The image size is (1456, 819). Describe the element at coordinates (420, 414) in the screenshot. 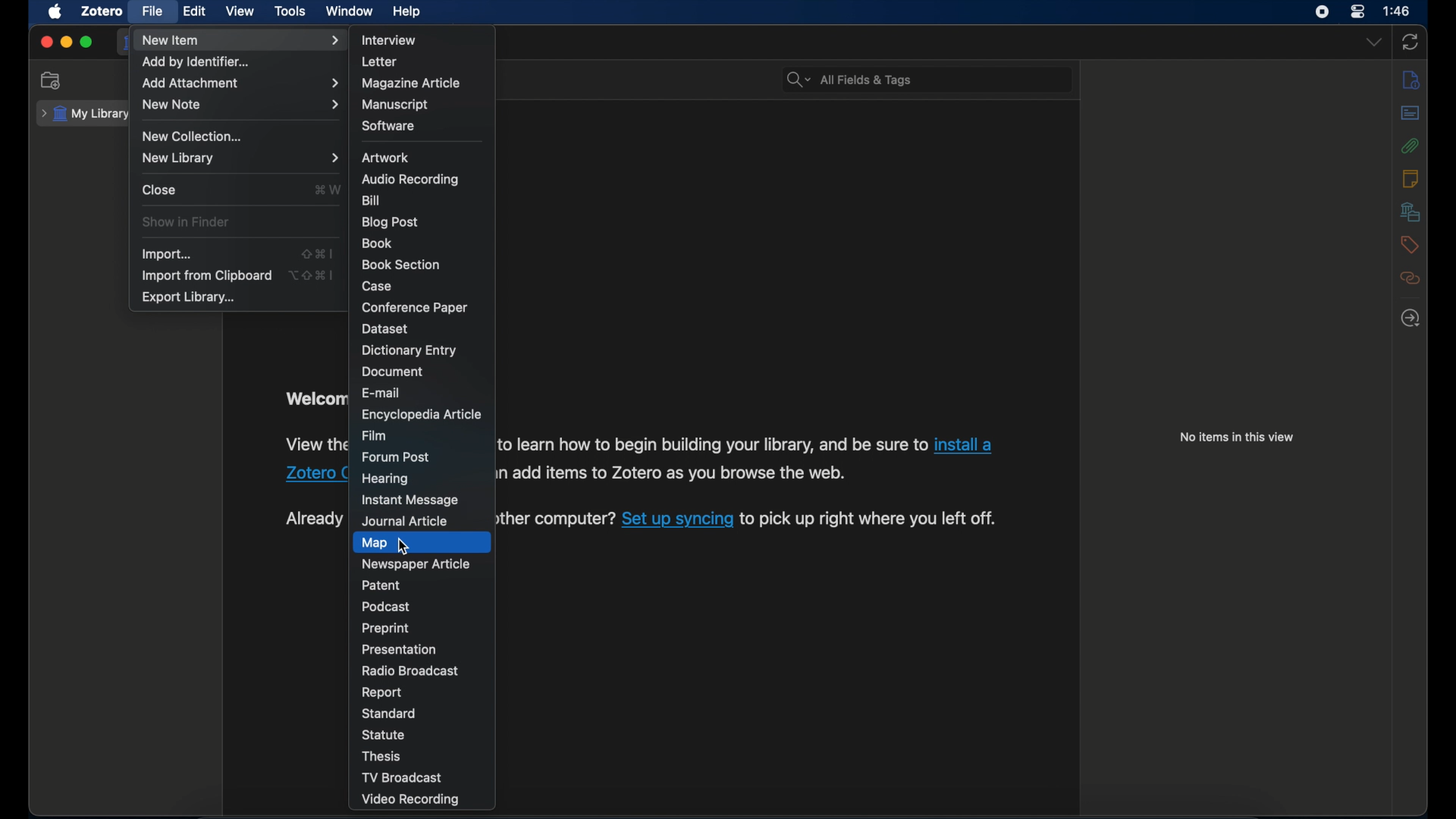

I see `encyclopedia article` at that location.